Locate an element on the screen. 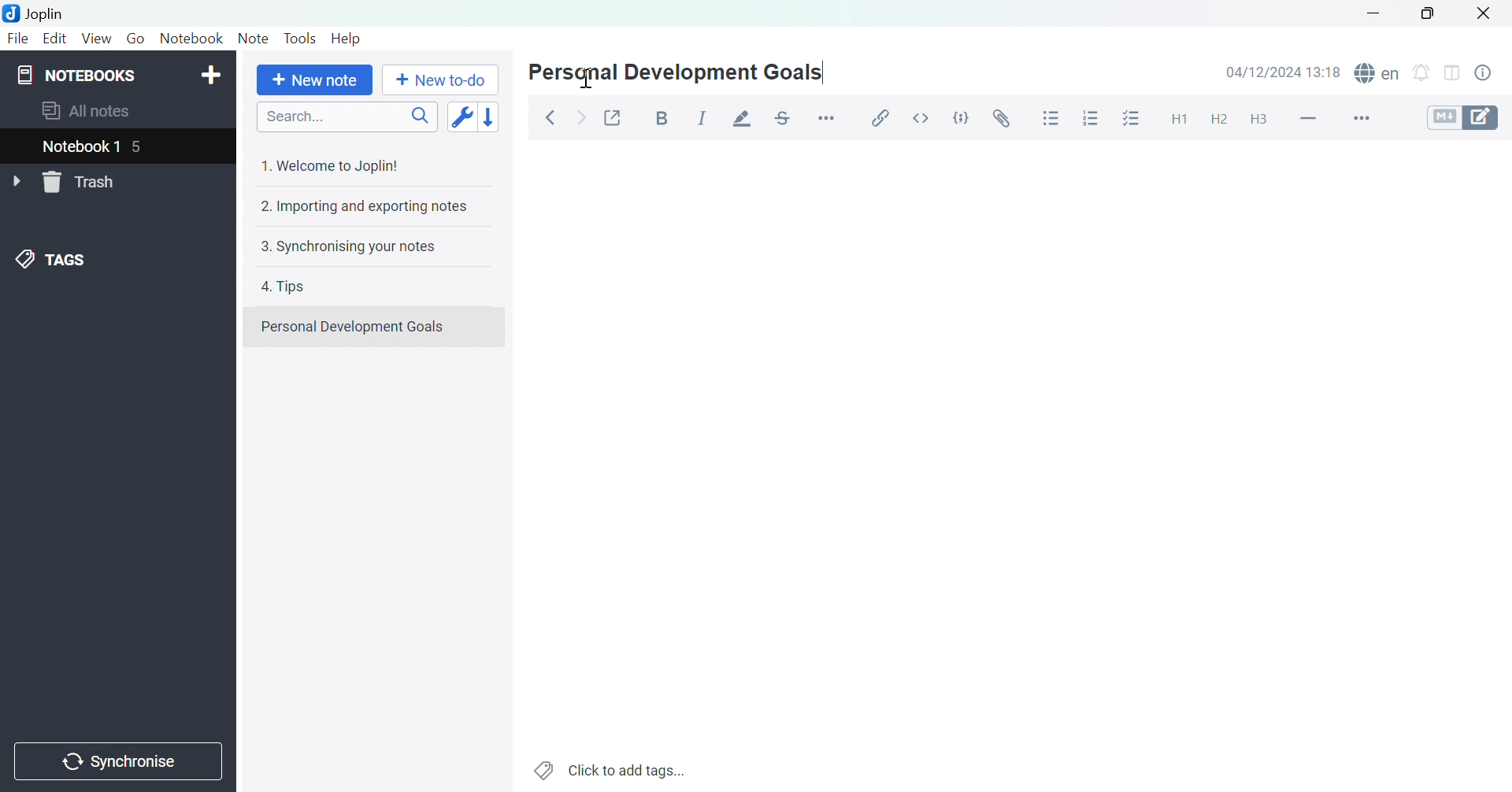 Image resolution: width=1512 pixels, height=792 pixels. Heading 3 is located at coordinates (1258, 120).